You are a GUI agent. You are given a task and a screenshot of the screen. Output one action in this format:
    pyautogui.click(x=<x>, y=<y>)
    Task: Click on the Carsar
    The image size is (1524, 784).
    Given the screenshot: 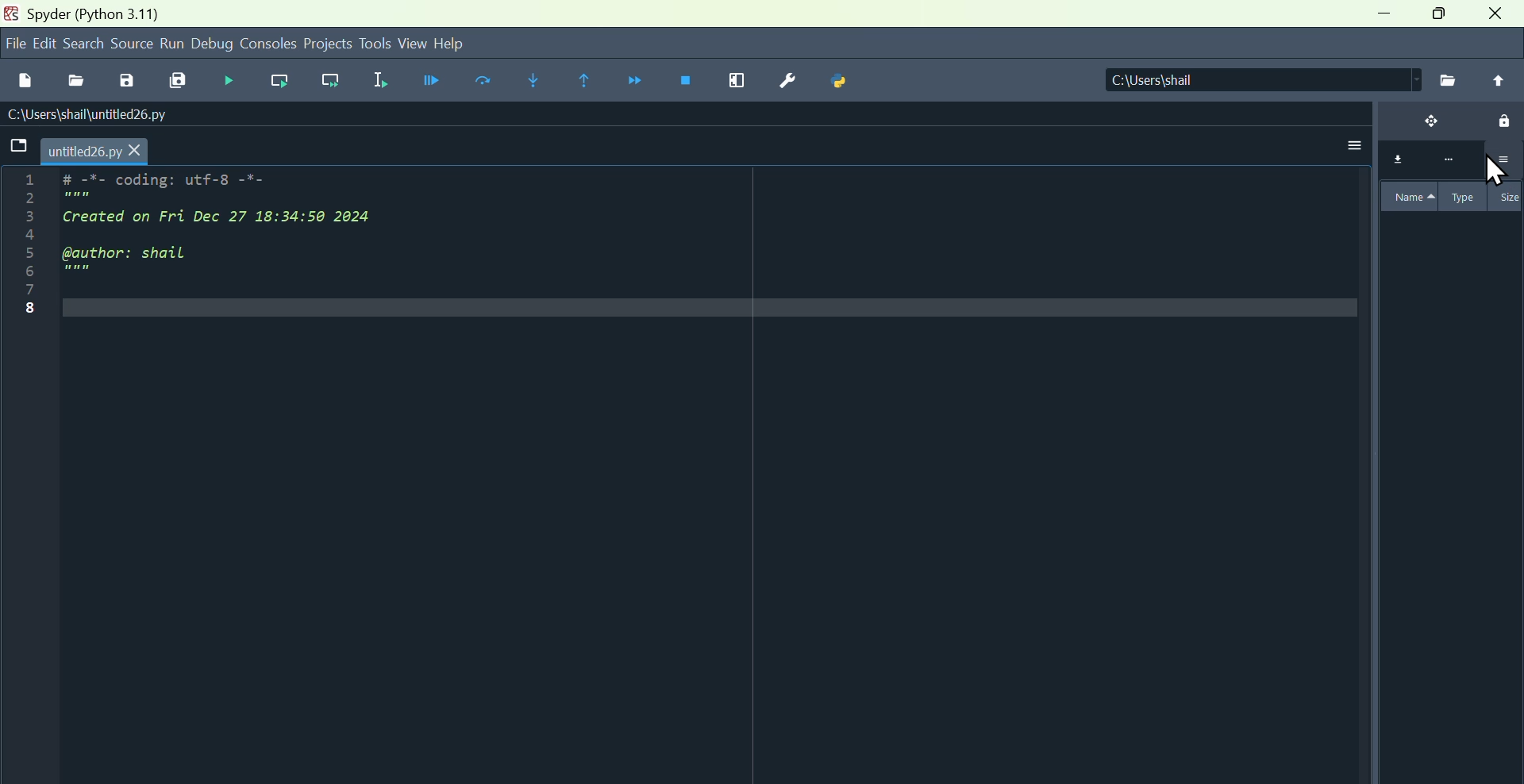 What is the action you would take?
    pyautogui.click(x=1499, y=179)
    